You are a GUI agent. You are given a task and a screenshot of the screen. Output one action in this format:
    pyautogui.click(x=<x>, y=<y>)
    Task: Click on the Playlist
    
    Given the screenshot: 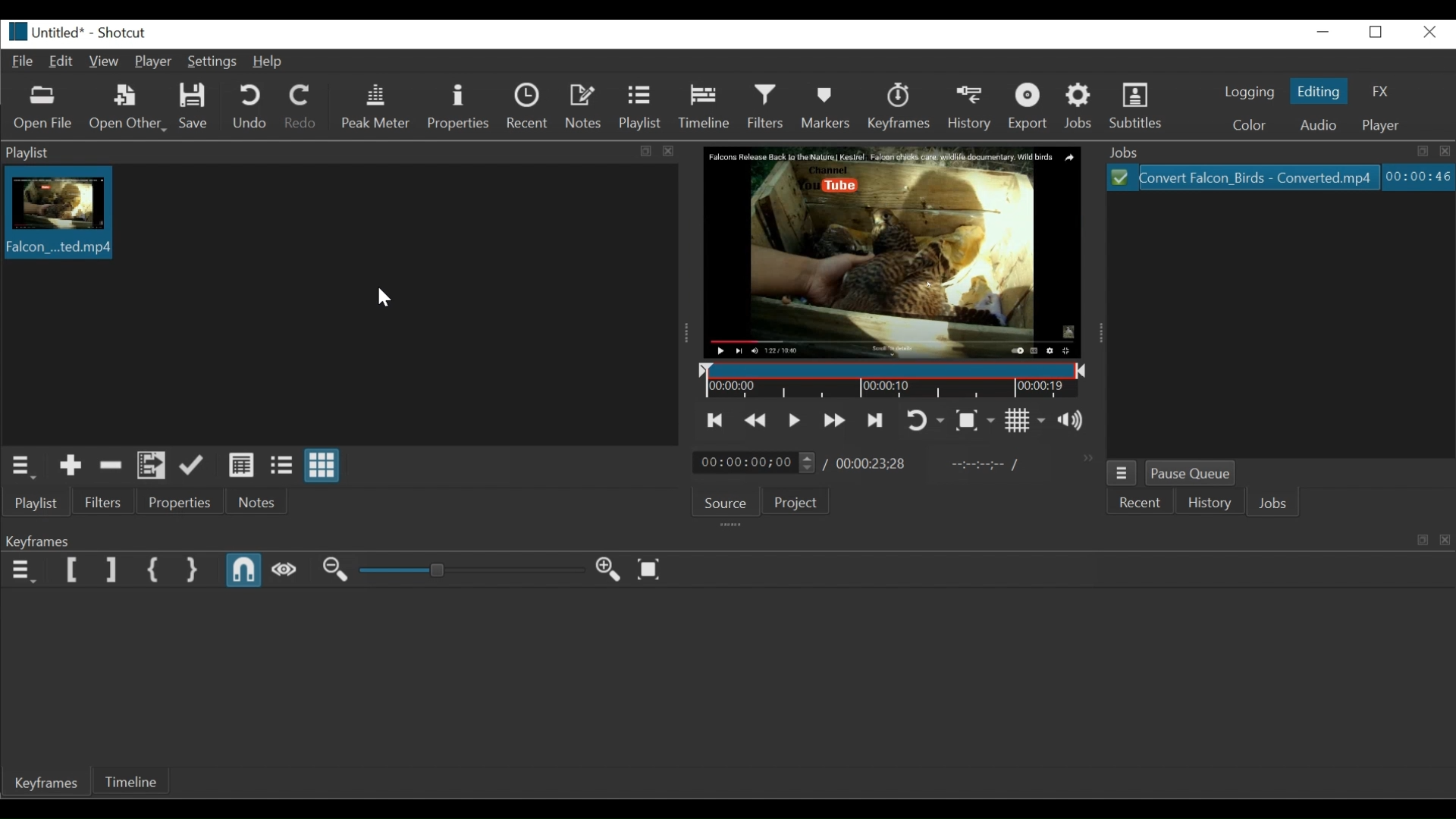 What is the action you would take?
    pyautogui.click(x=339, y=152)
    